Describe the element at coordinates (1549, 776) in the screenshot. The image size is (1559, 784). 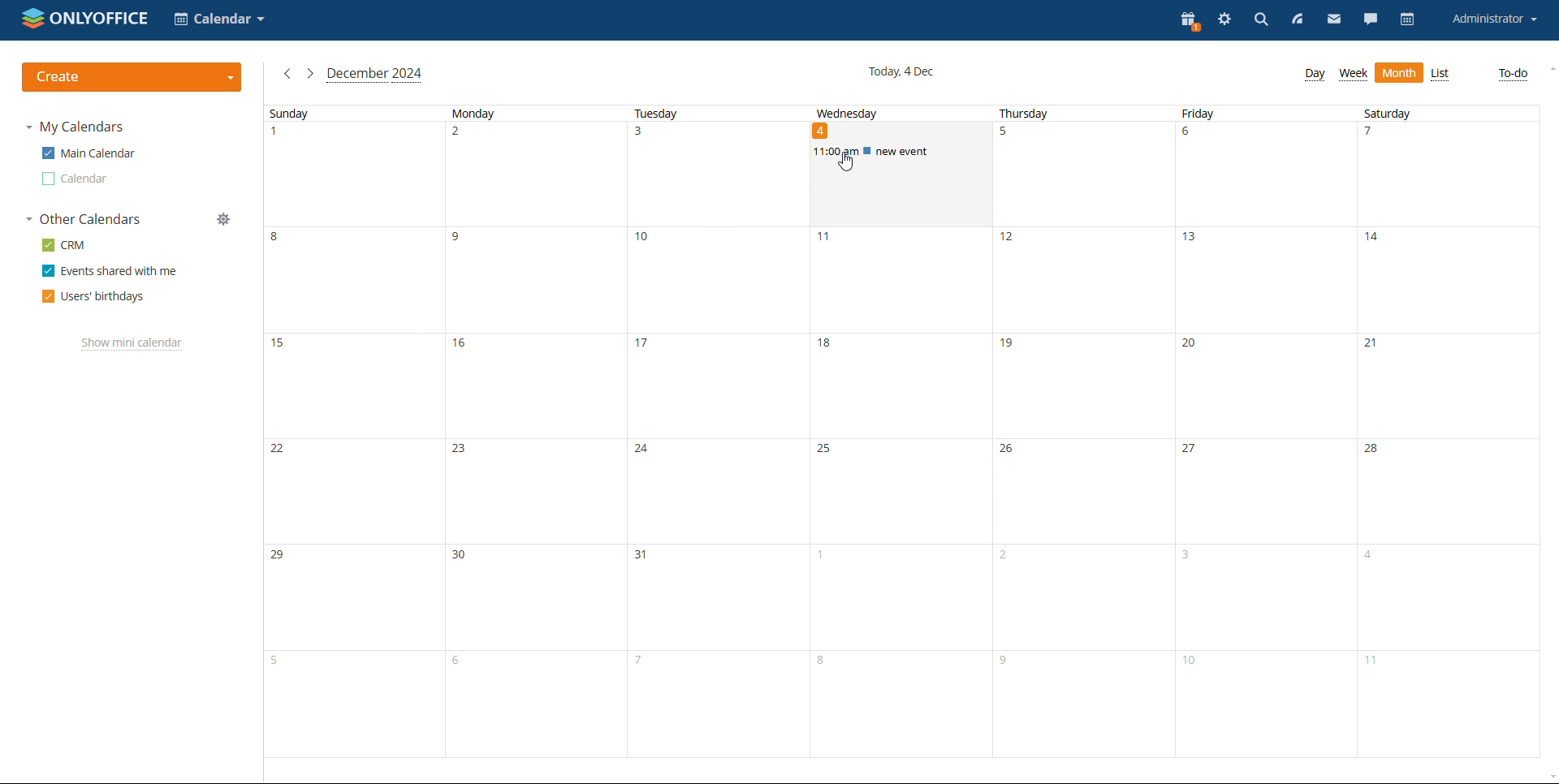
I see `scroll down` at that location.